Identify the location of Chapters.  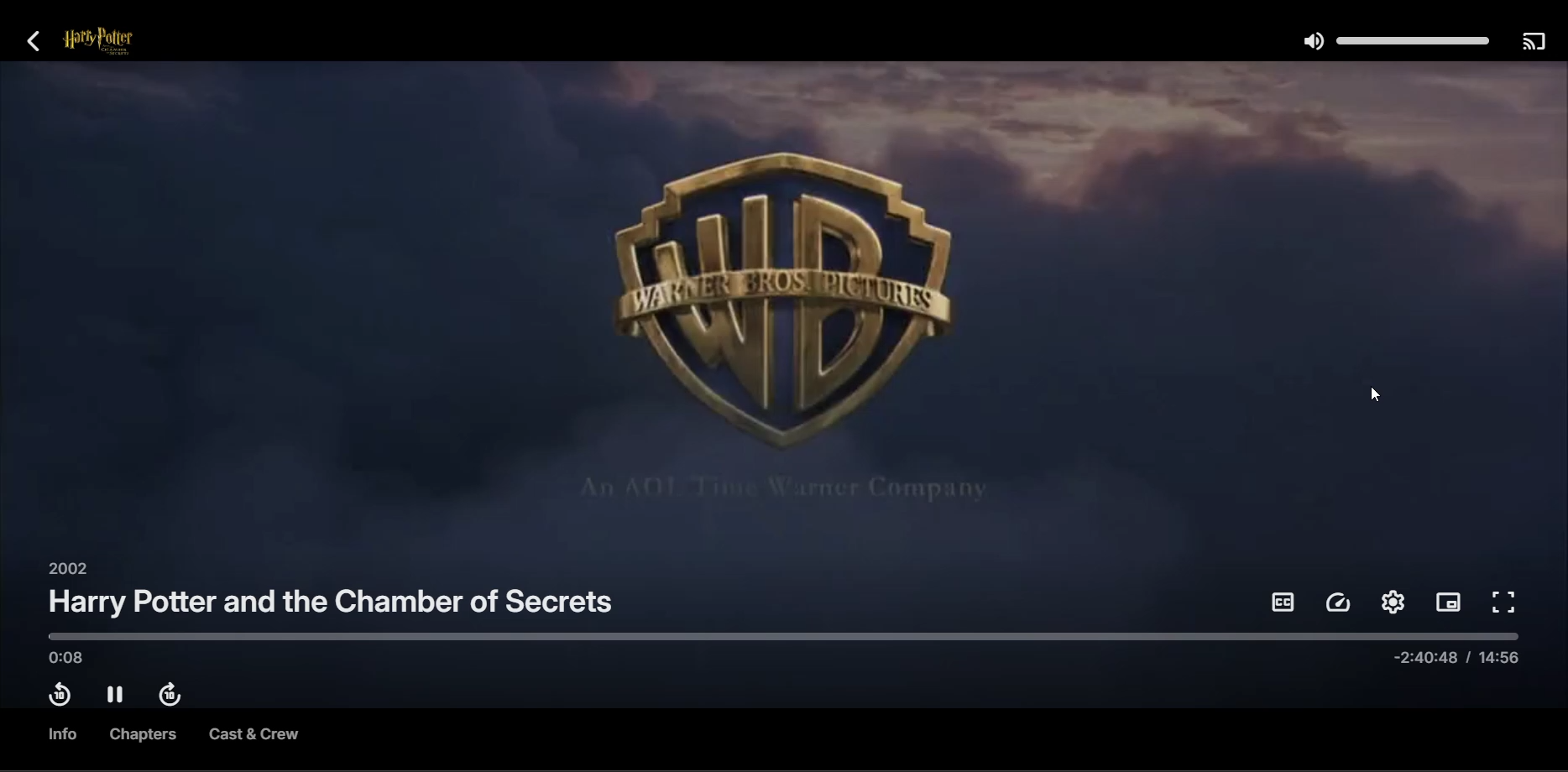
(144, 736).